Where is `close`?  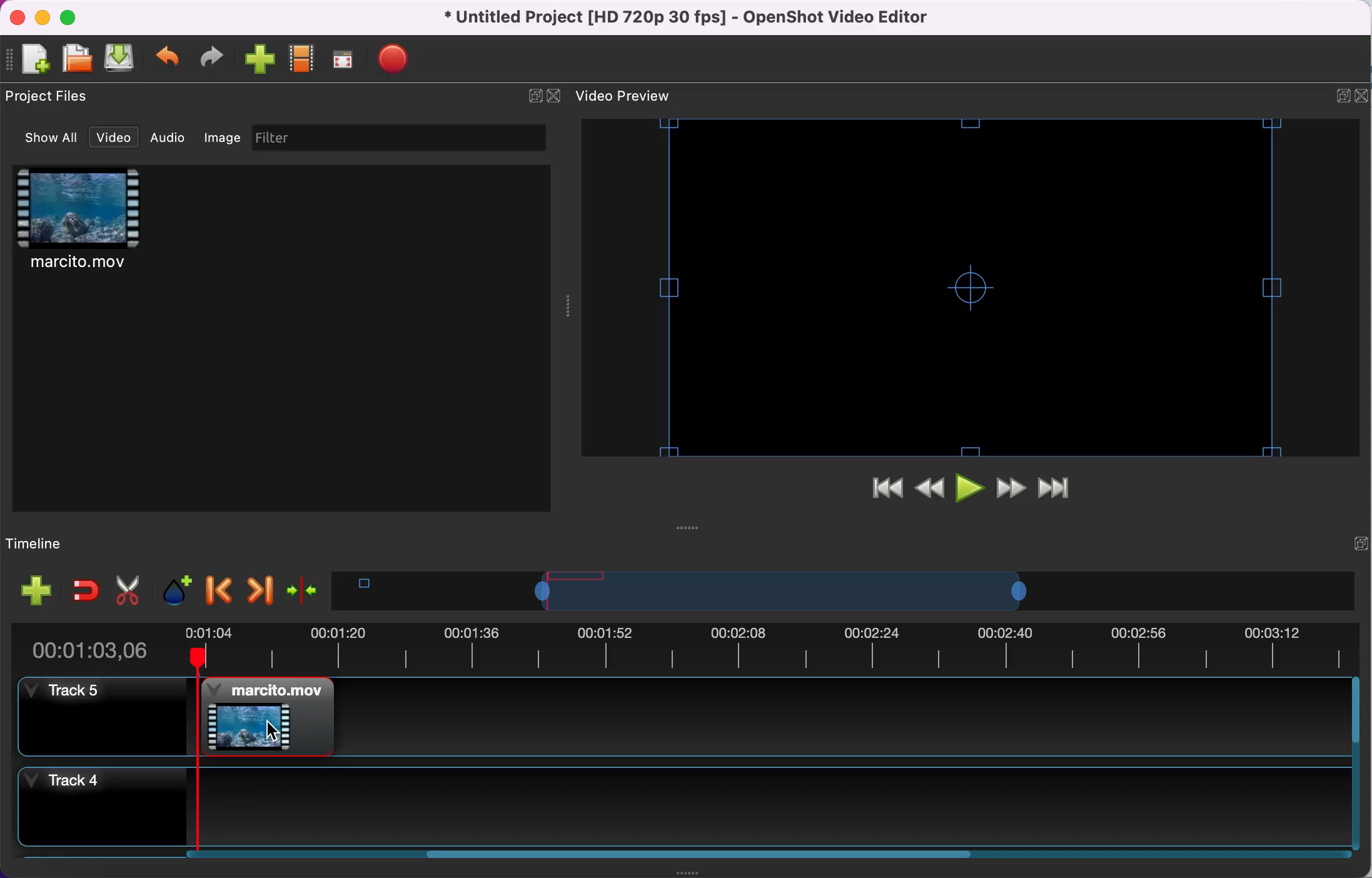
close is located at coordinates (554, 94).